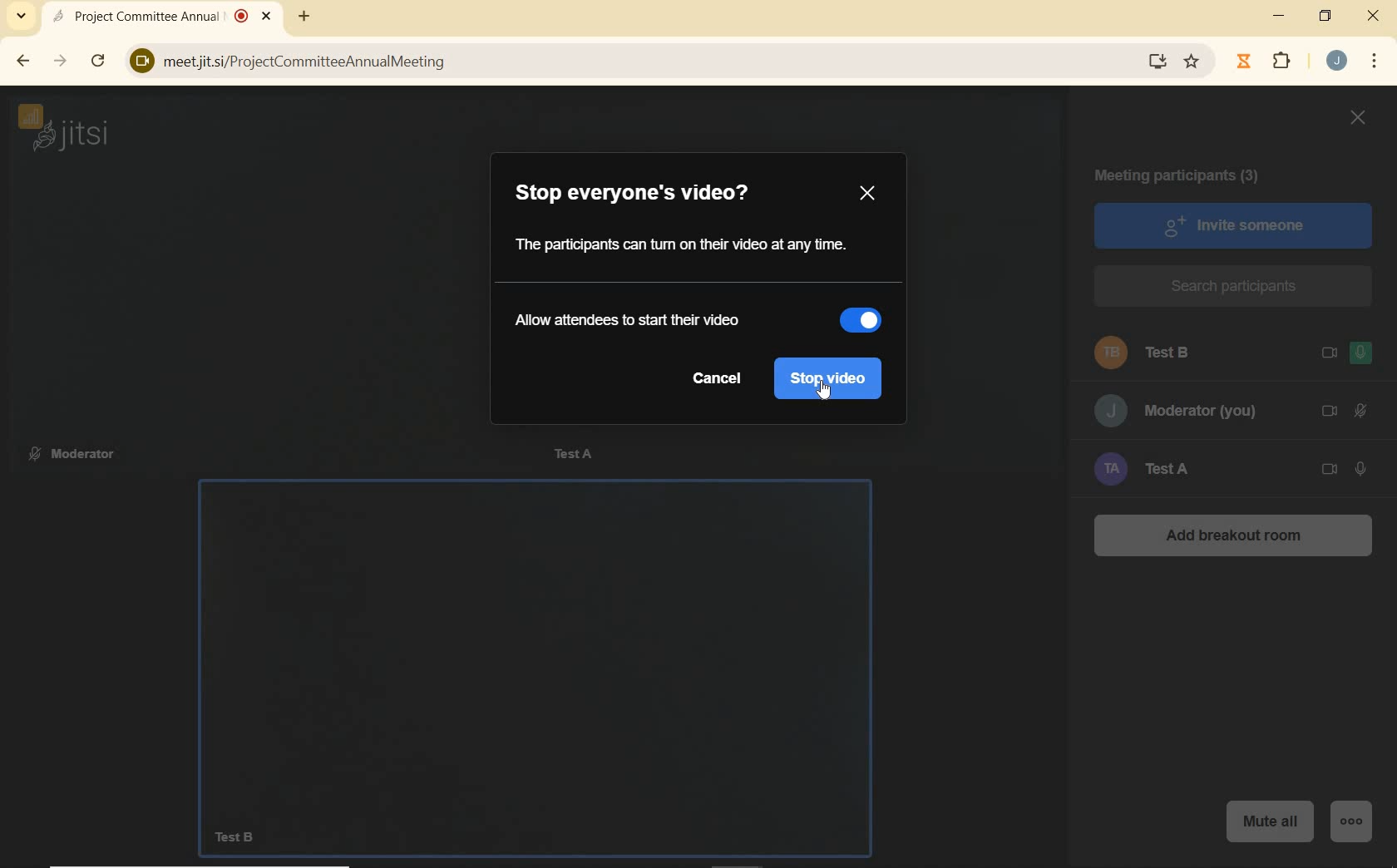  What do you see at coordinates (642, 318) in the screenshot?
I see `allow attendees to start their video` at bounding box center [642, 318].